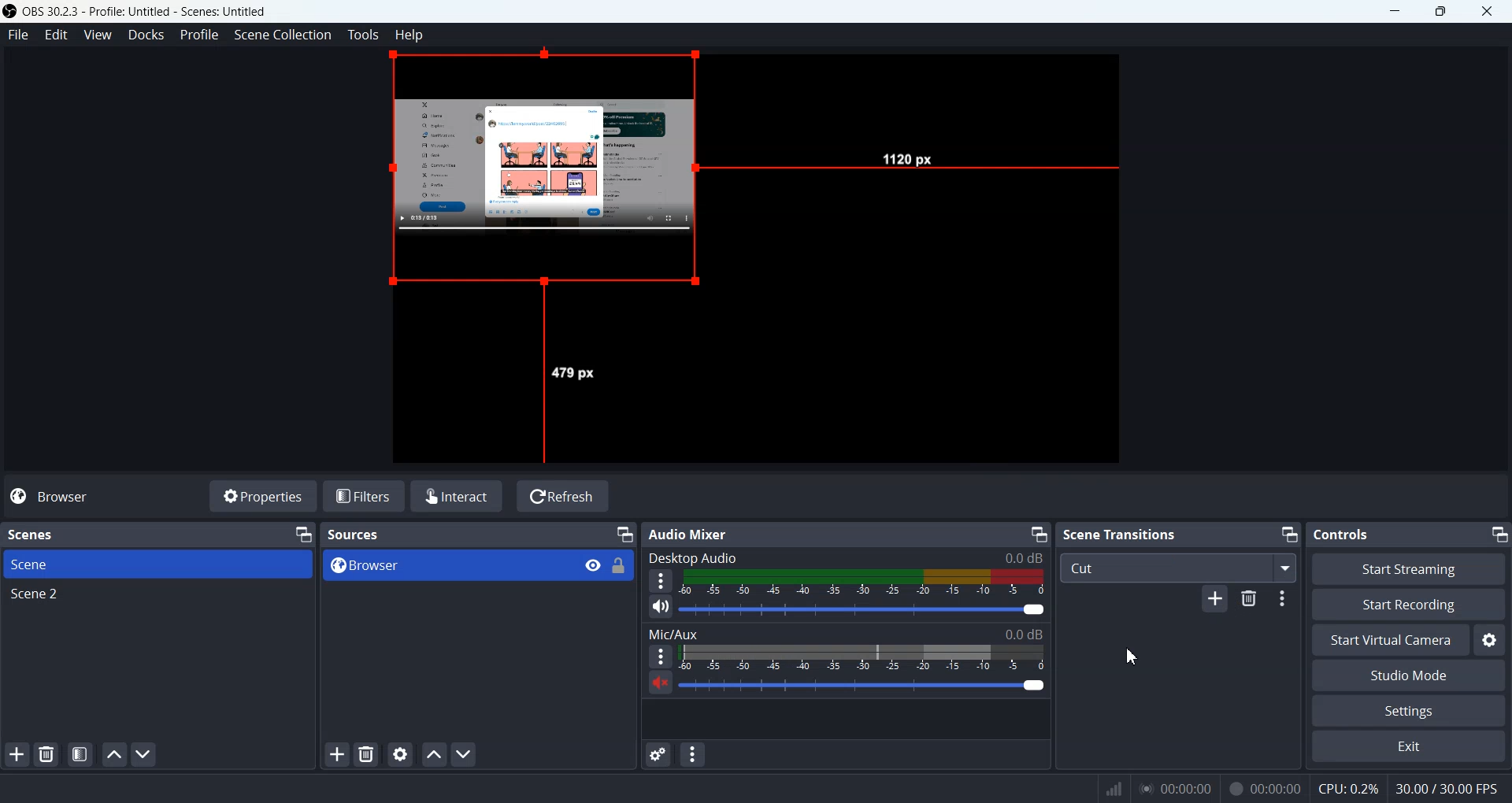 This screenshot has height=803, width=1512. What do you see at coordinates (1250, 599) in the screenshot?
I see `Remove configurable transition` at bounding box center [1250, 599].